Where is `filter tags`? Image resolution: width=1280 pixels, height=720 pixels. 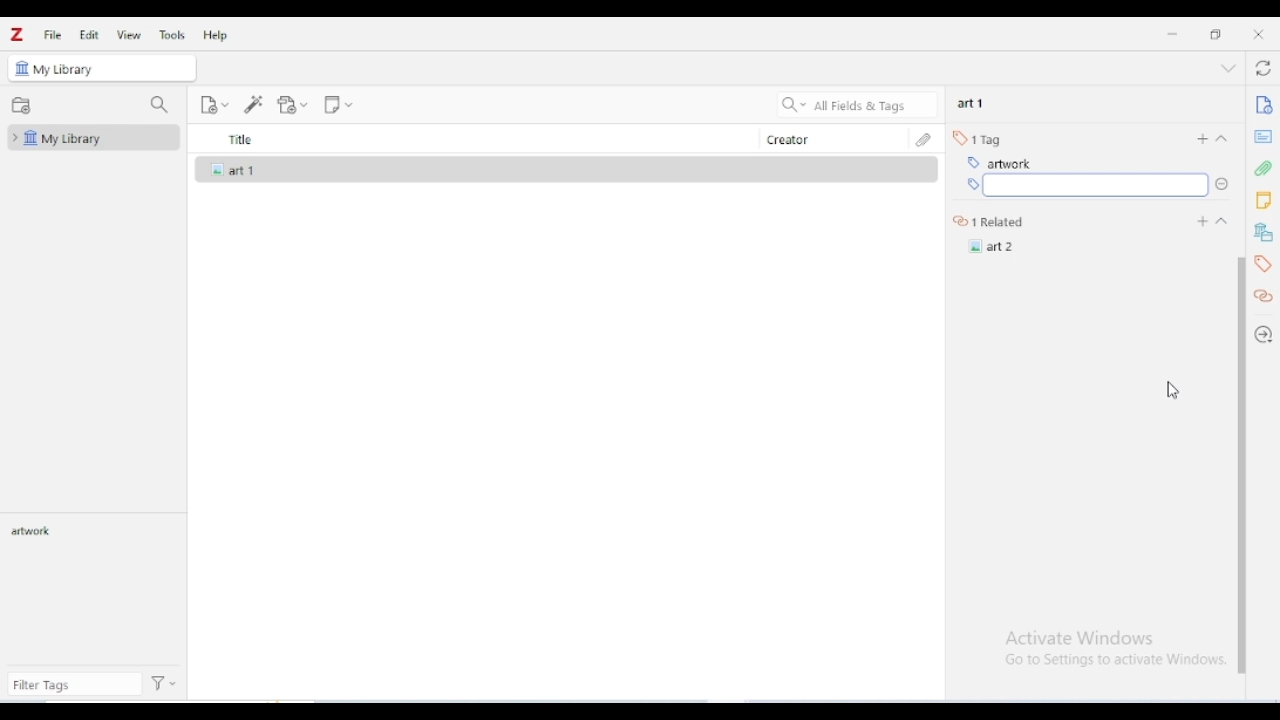 filter tags is located at coordinates (75, 685).